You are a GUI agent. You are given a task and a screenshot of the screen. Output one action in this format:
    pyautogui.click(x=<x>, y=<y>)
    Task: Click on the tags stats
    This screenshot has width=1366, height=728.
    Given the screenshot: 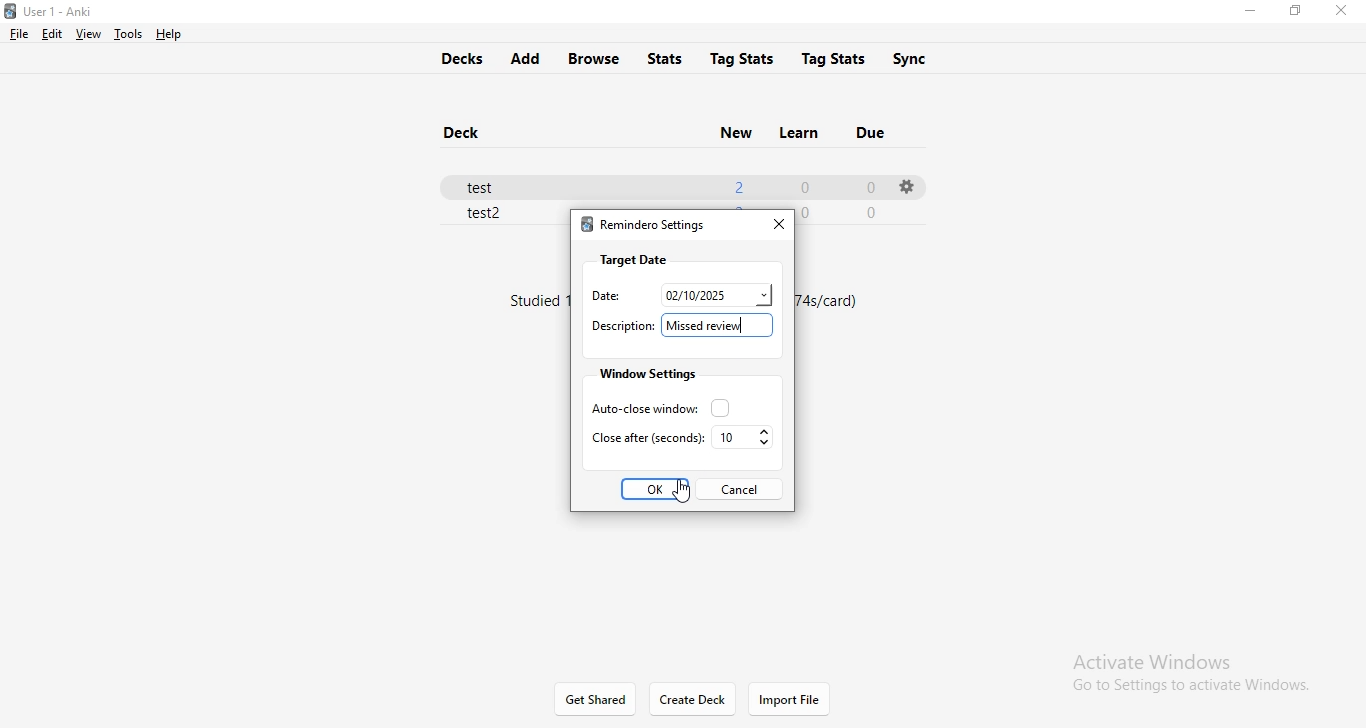 What is the action you would take?
    pyautogui.click(x=836, y=56)
    